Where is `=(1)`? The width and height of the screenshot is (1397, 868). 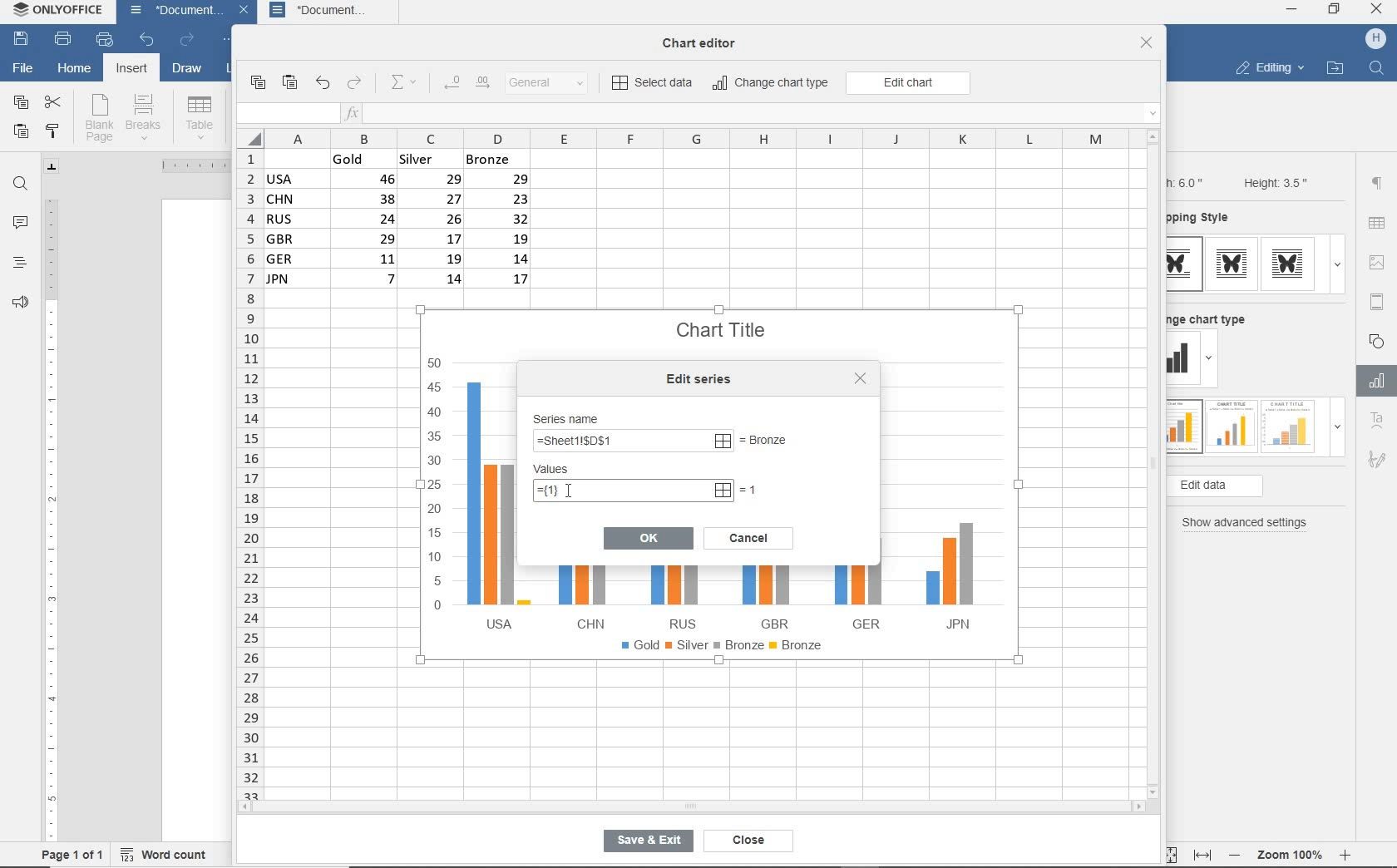 =(1) is located at coordinates (634, 491).